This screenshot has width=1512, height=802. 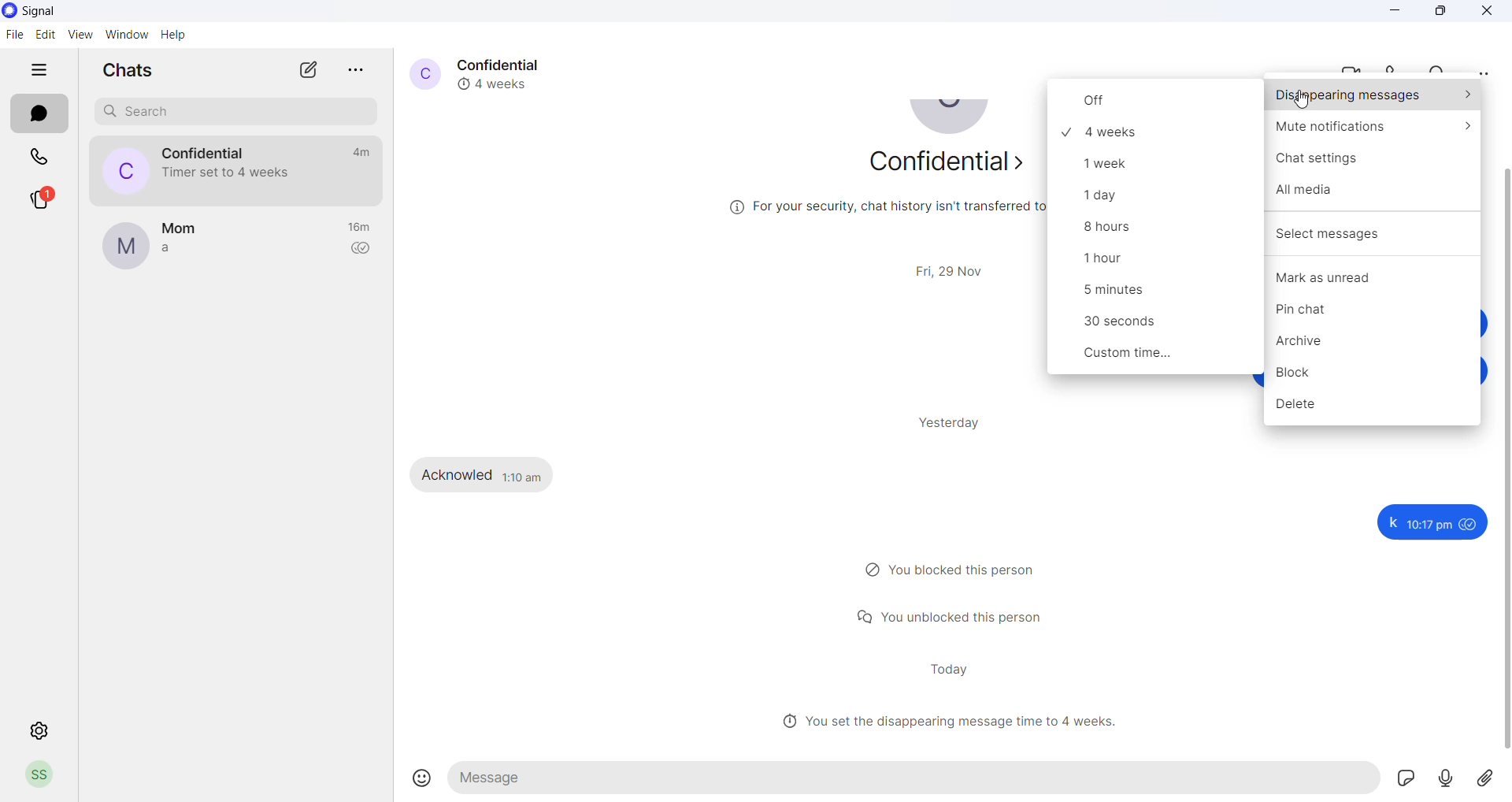 What do you see at coordinates (1355, 66) in the screenshot?
I see `video call` at bounding box center [1355, 66].